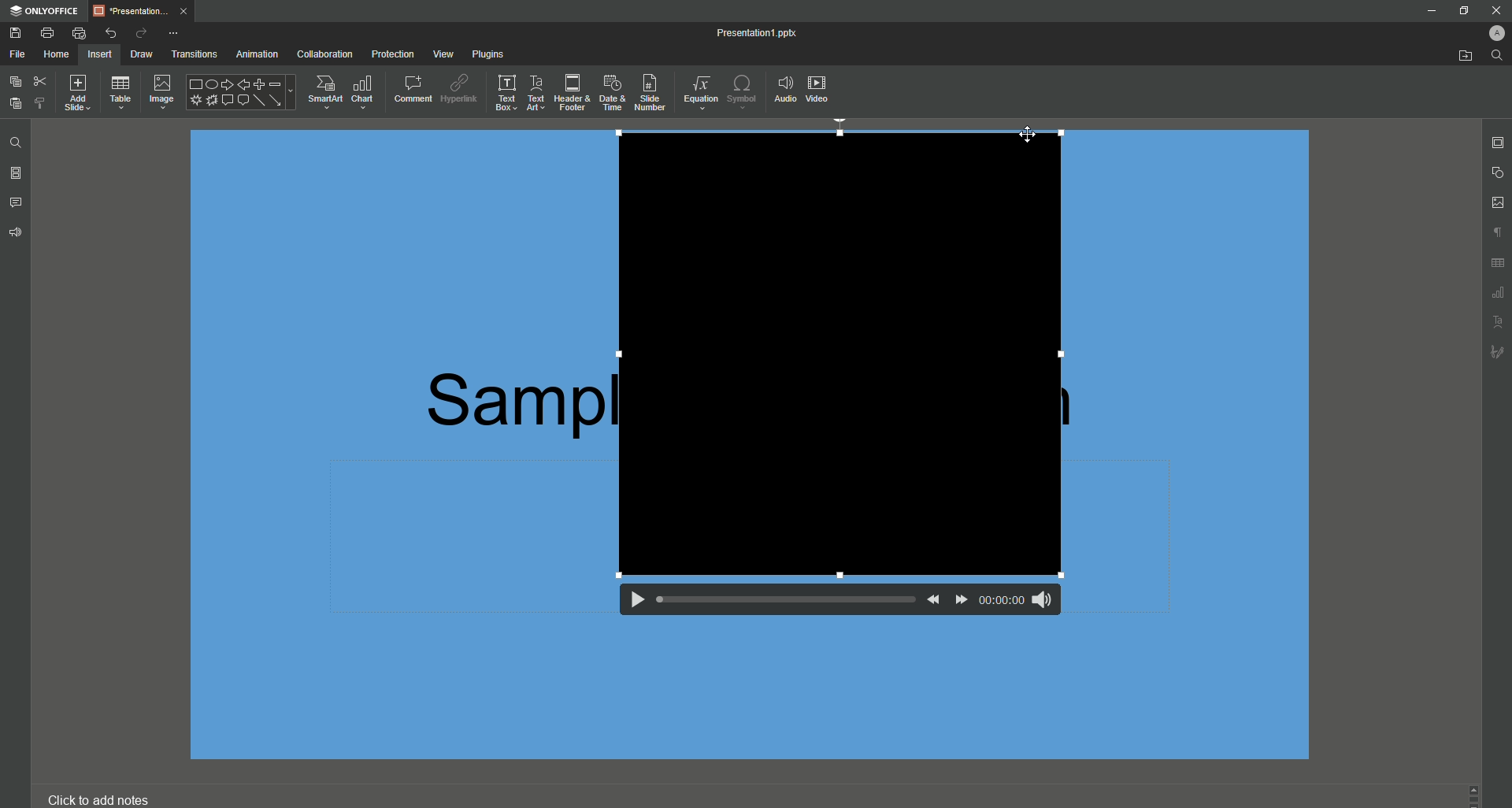  Describe the element at coordinates (120, 93) in the screenshot. I see `Table` at that location.